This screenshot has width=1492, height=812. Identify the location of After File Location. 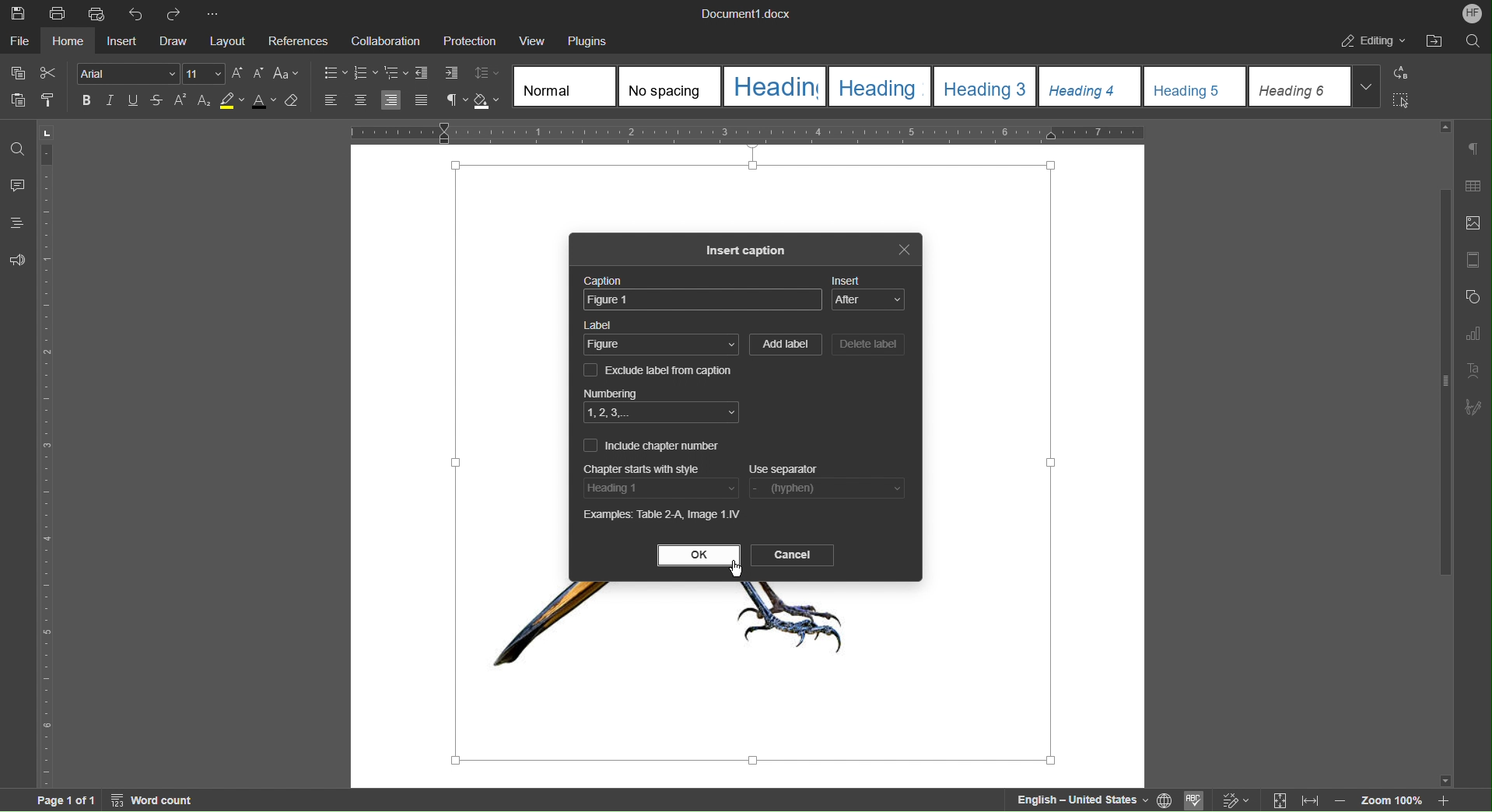
(1433, 40).